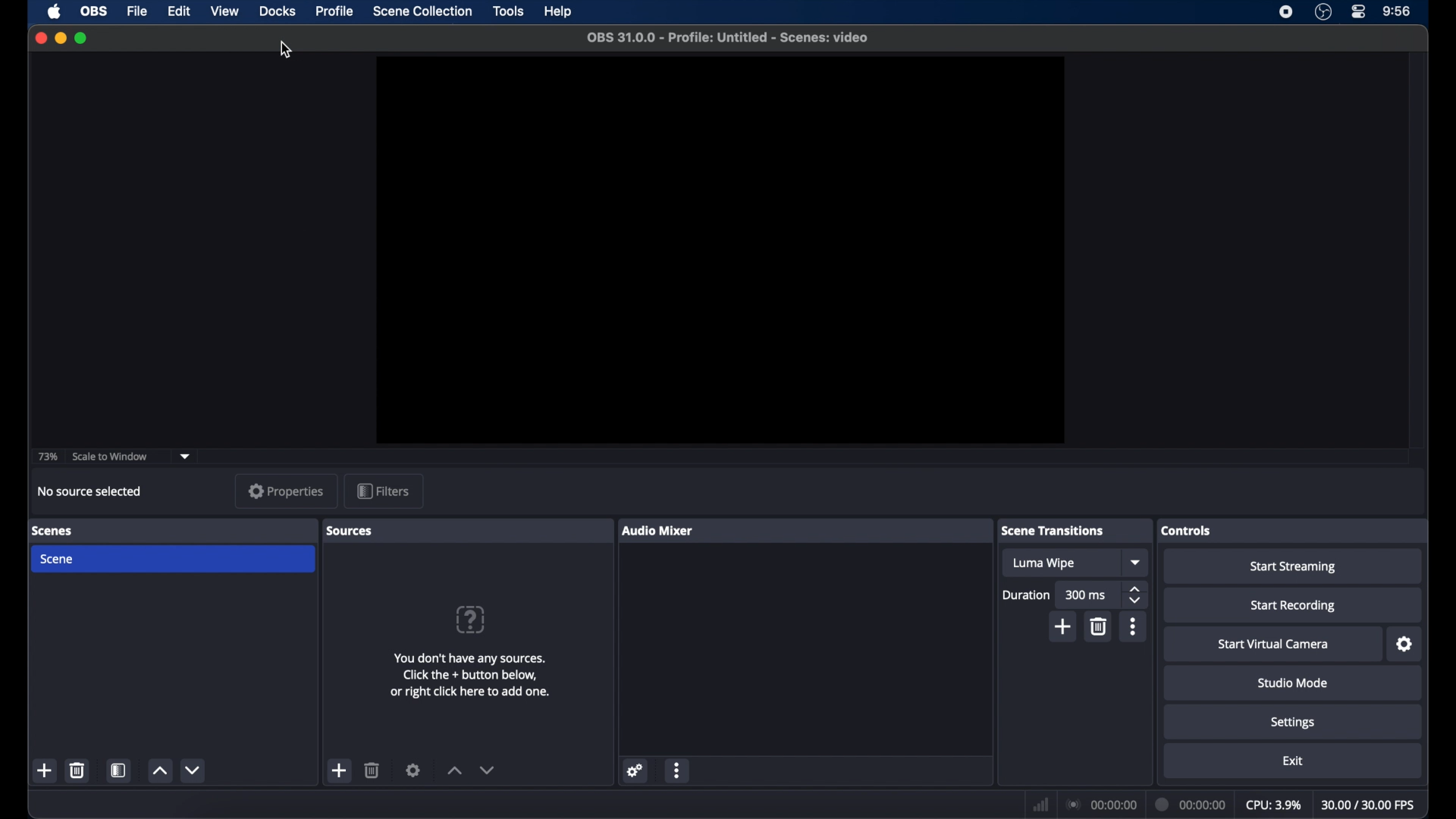  What do you see at coordinates (1293, 761) in the screenshot?
I see `exit` at bounding box center [1293, 761].